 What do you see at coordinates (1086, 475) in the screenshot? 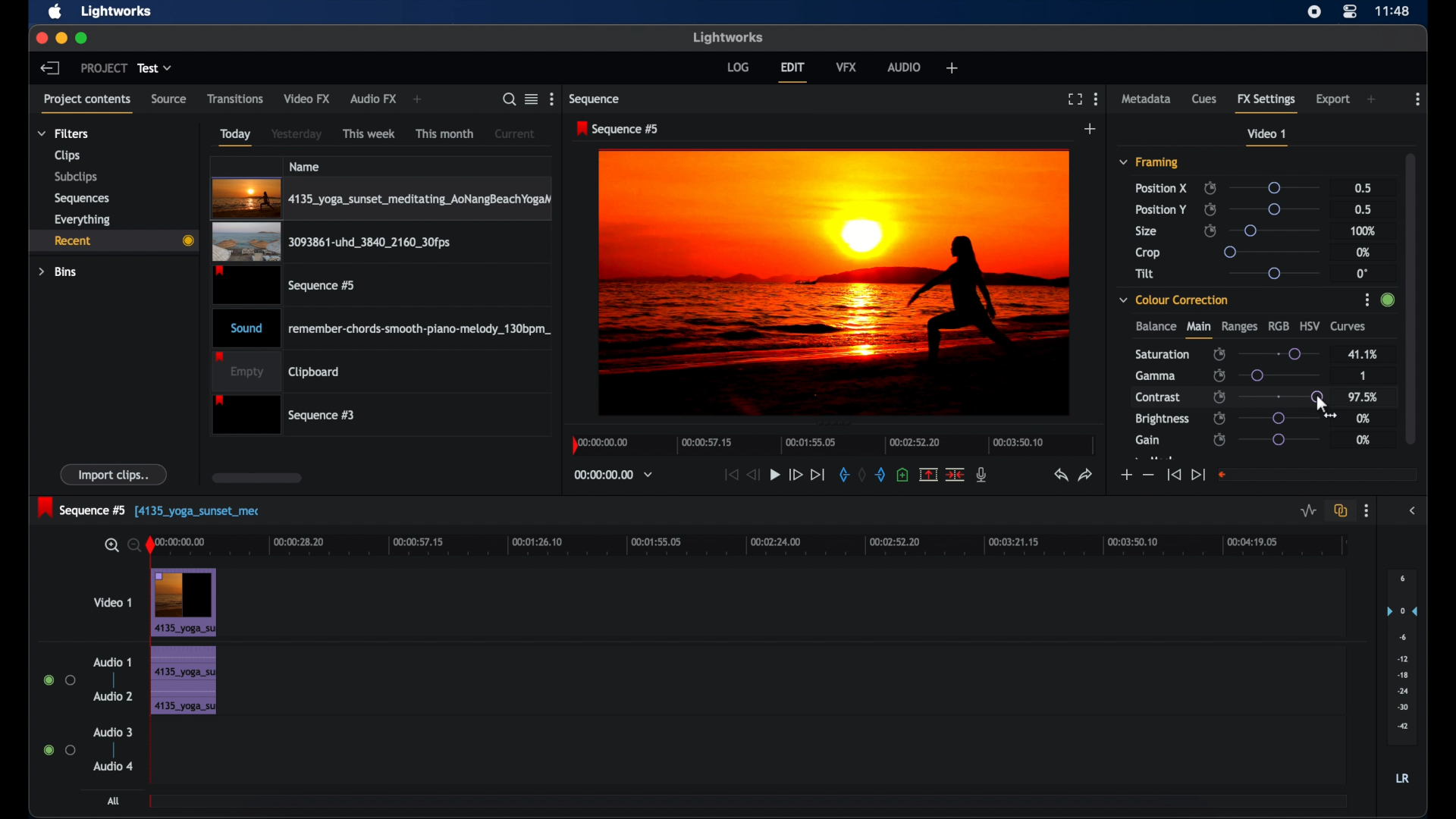
I see `redo` at bounding box center [1086, 475].